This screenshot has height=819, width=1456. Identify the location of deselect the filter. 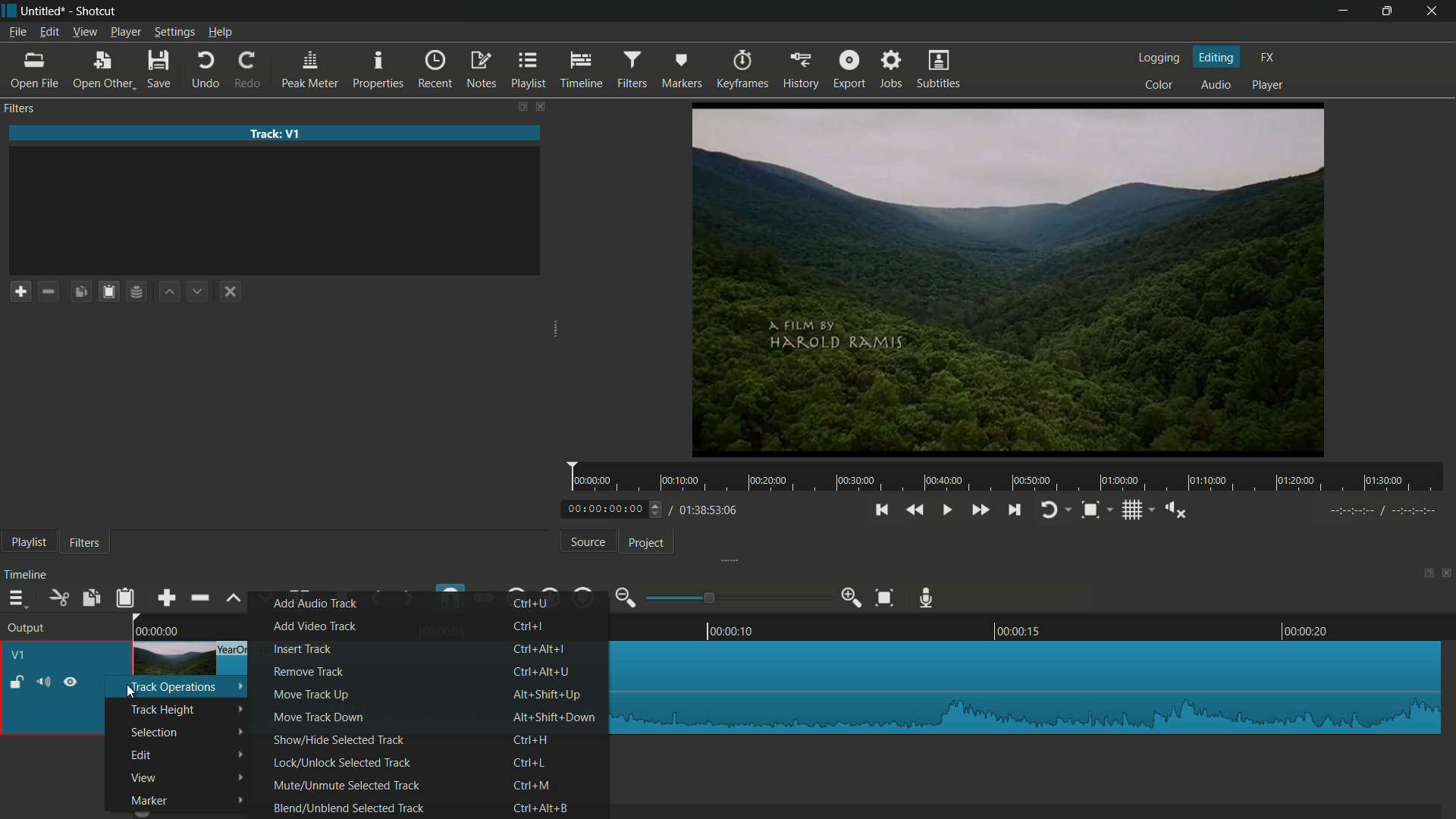
(231, 291).